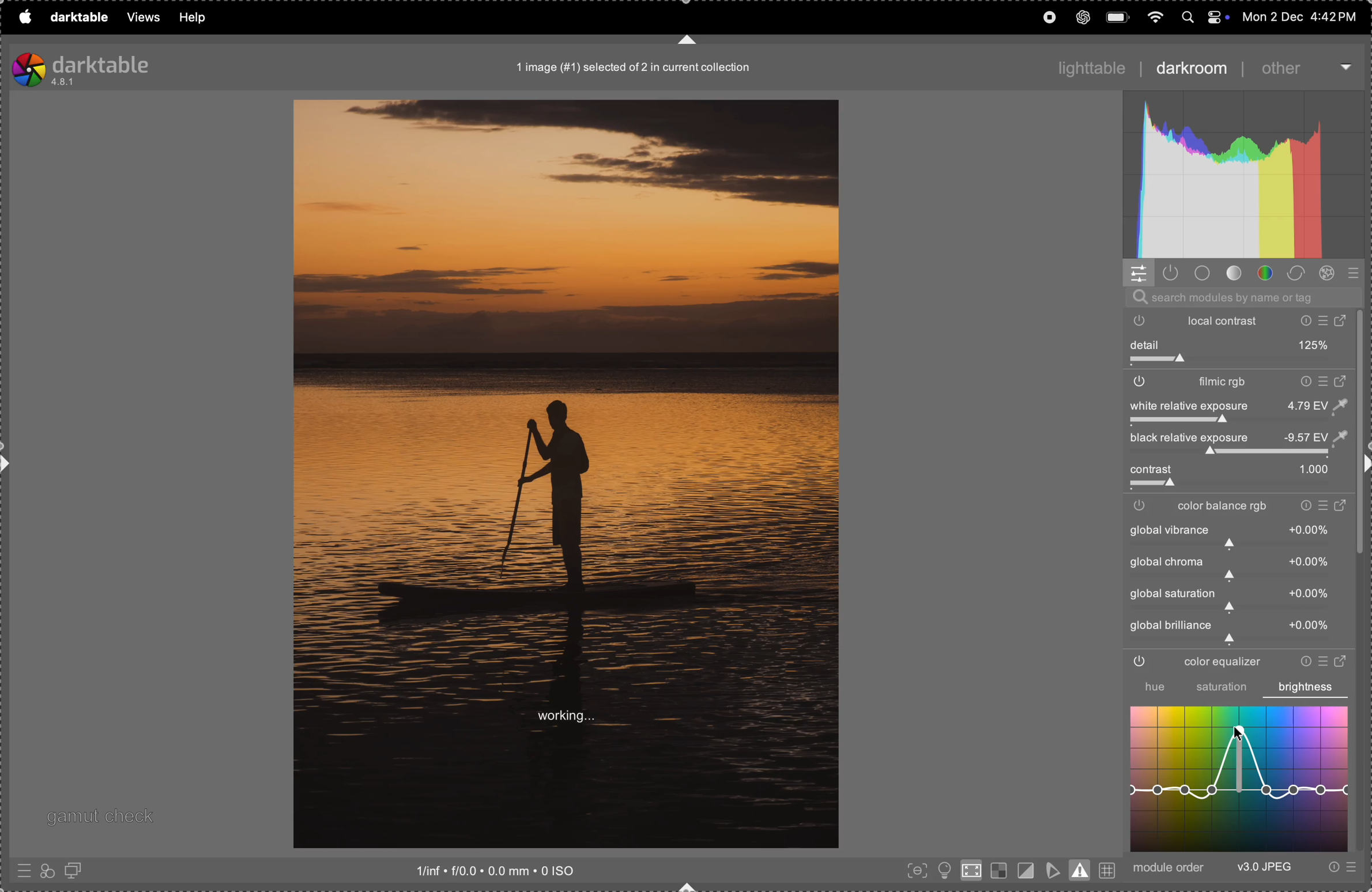  Describe the element at coordinates (1266, 274) in the screenshot. I see `color` at that location.